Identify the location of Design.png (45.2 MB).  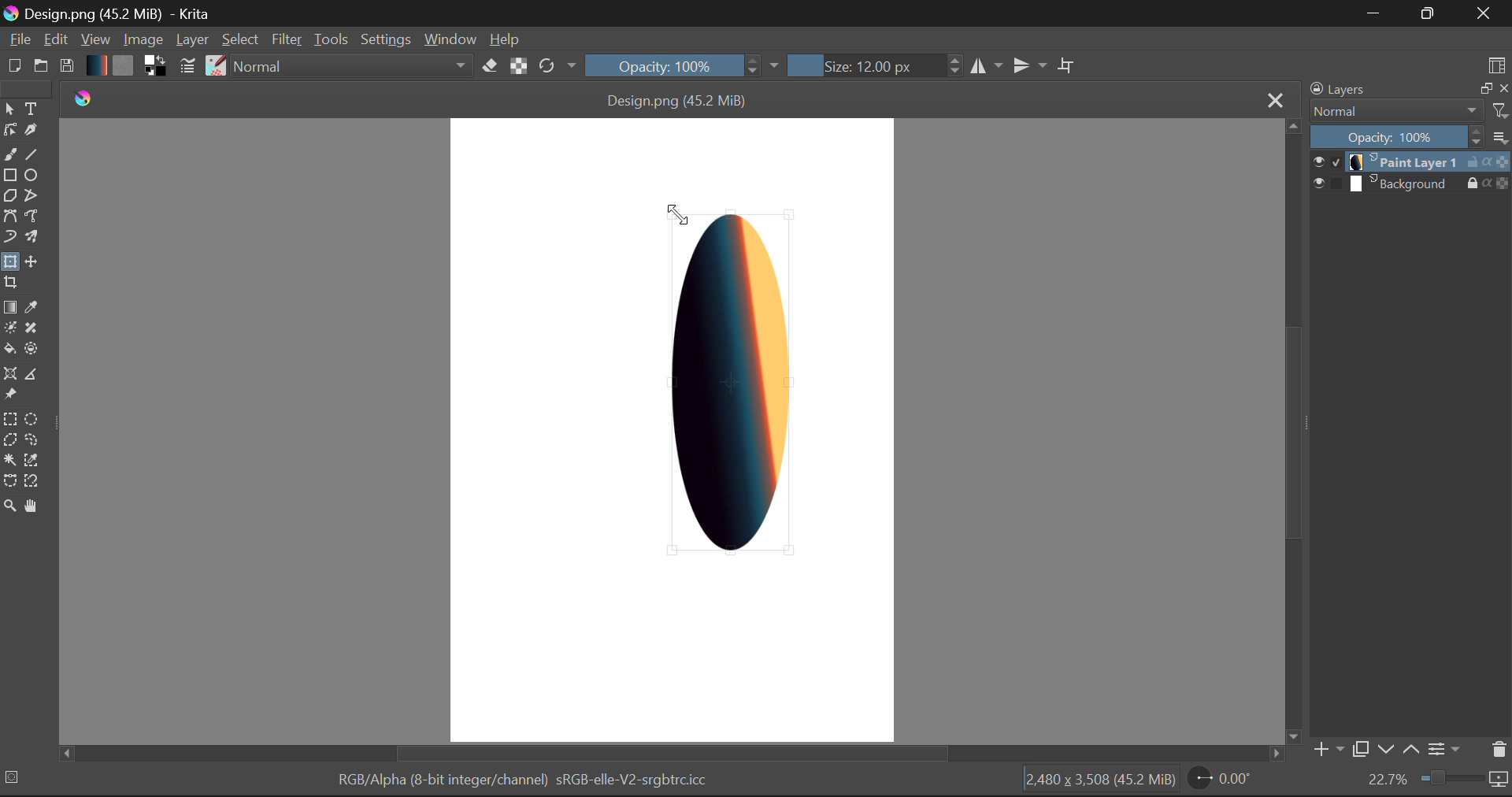
(679, 98).